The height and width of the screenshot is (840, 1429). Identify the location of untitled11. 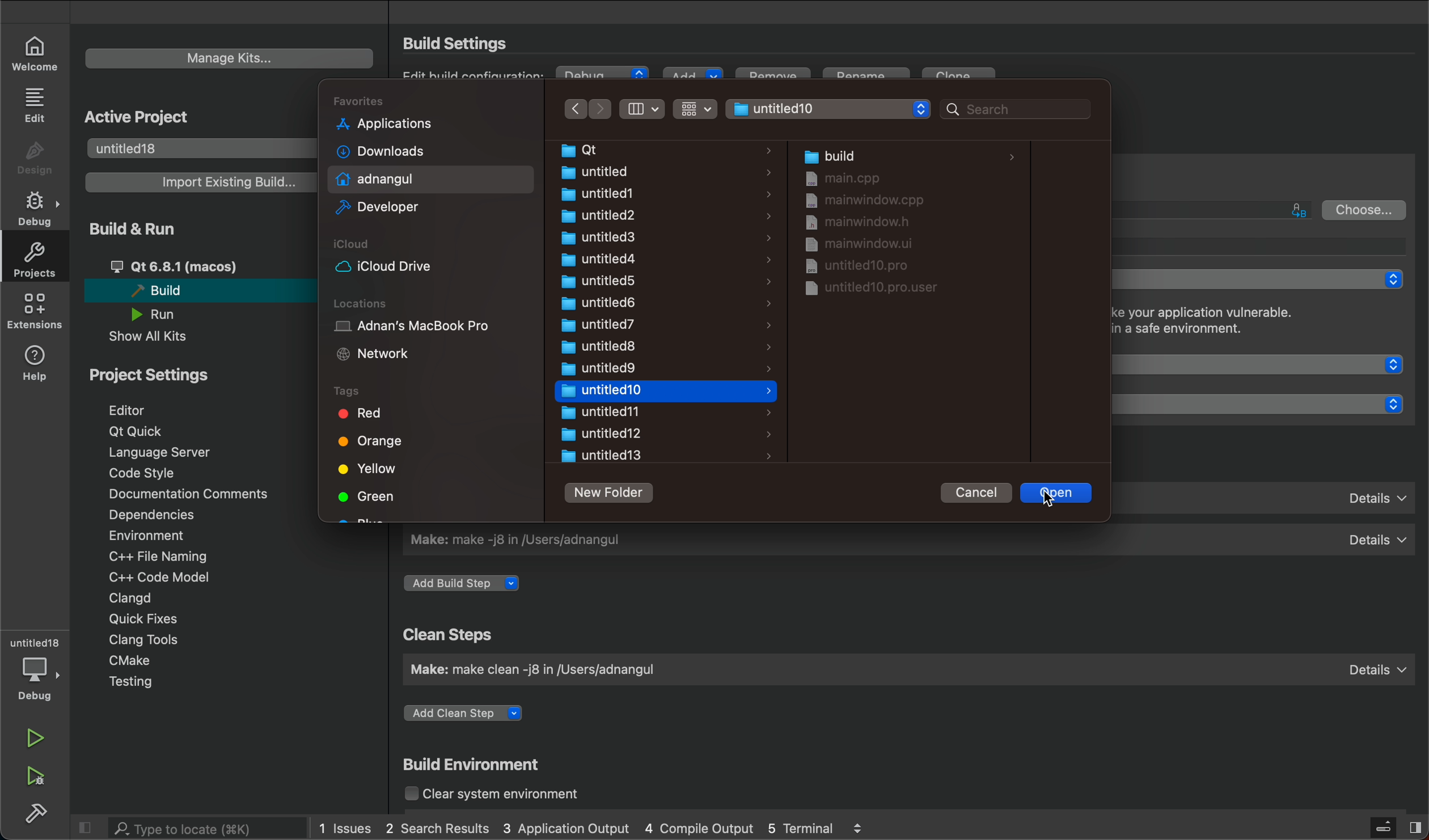
(663, 411).